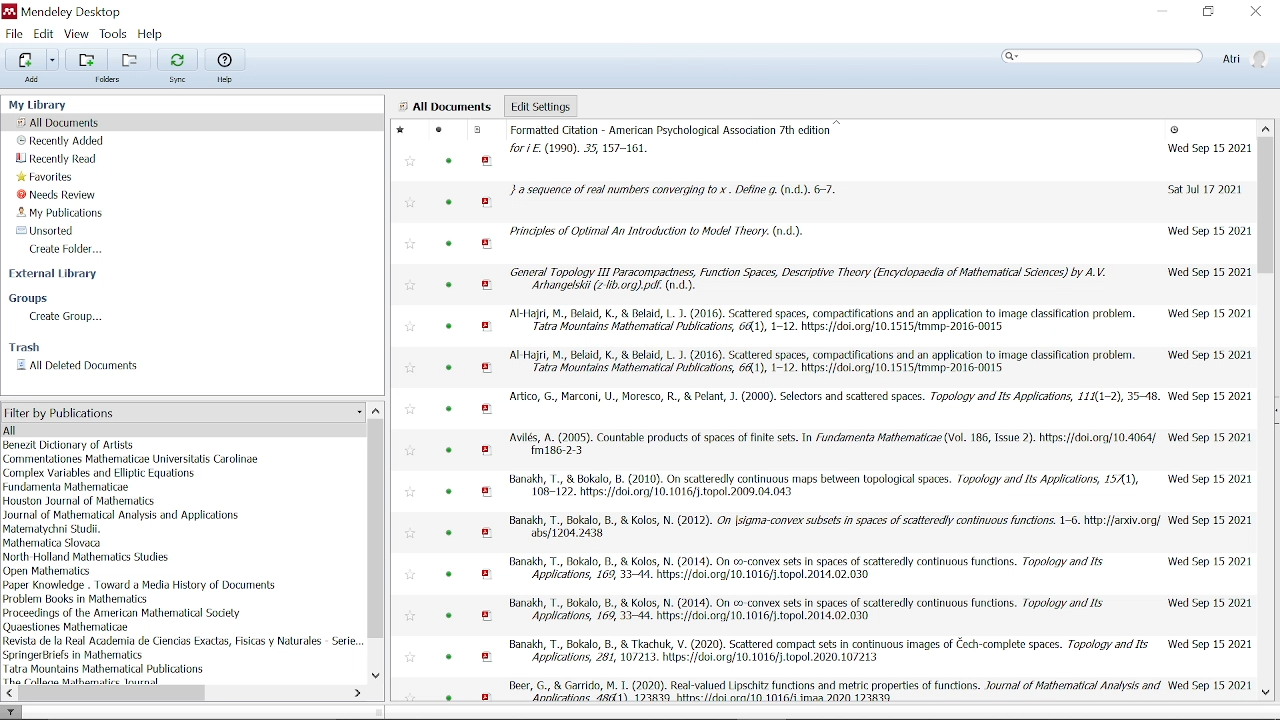 This screenshot has width=1280, height=720. Describe the element at coordinates (77, 34) in the screenshot. I see `View` at that location.